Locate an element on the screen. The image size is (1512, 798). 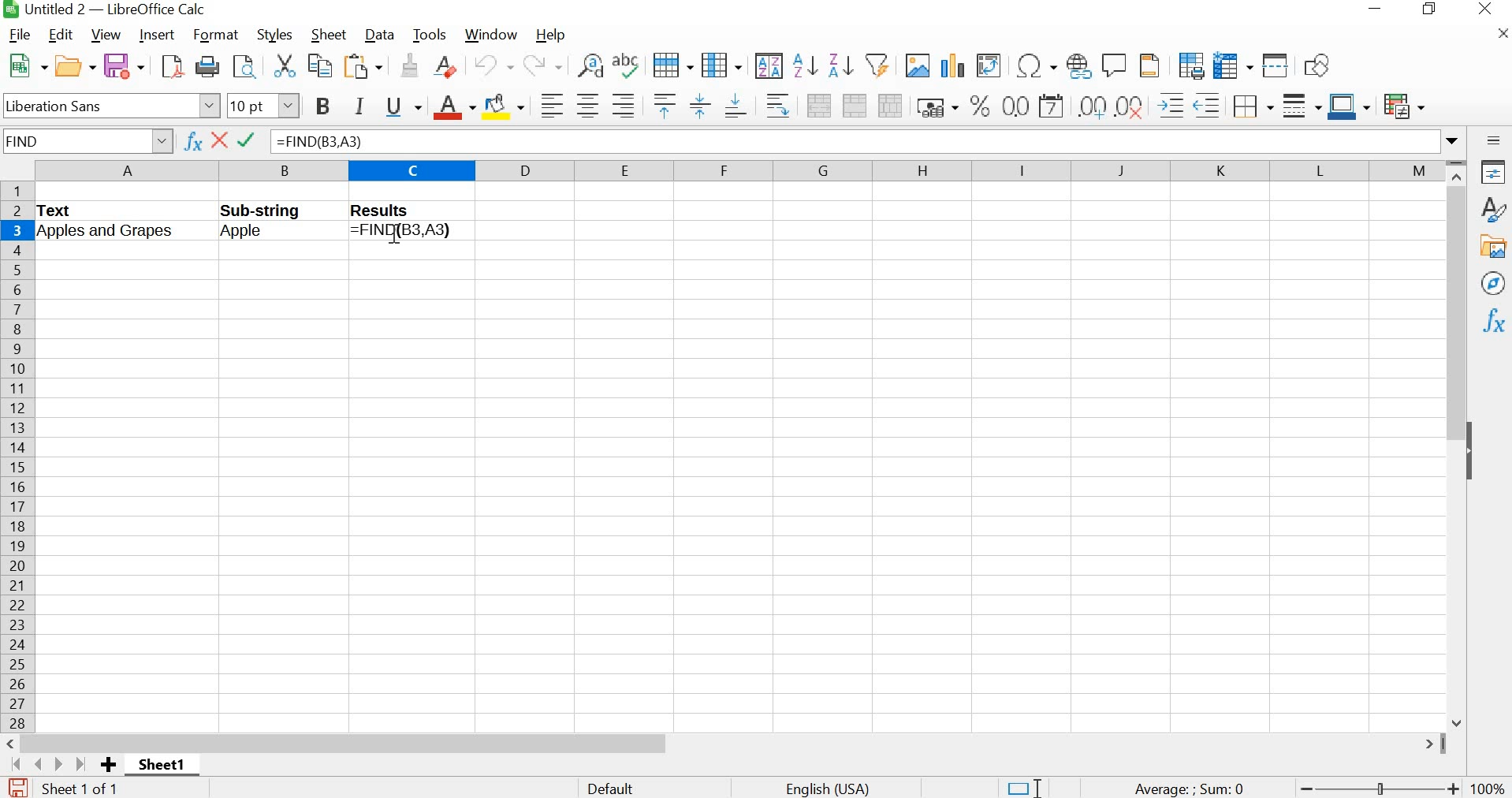
sidebar settings is located at coordinates (1494, 140).